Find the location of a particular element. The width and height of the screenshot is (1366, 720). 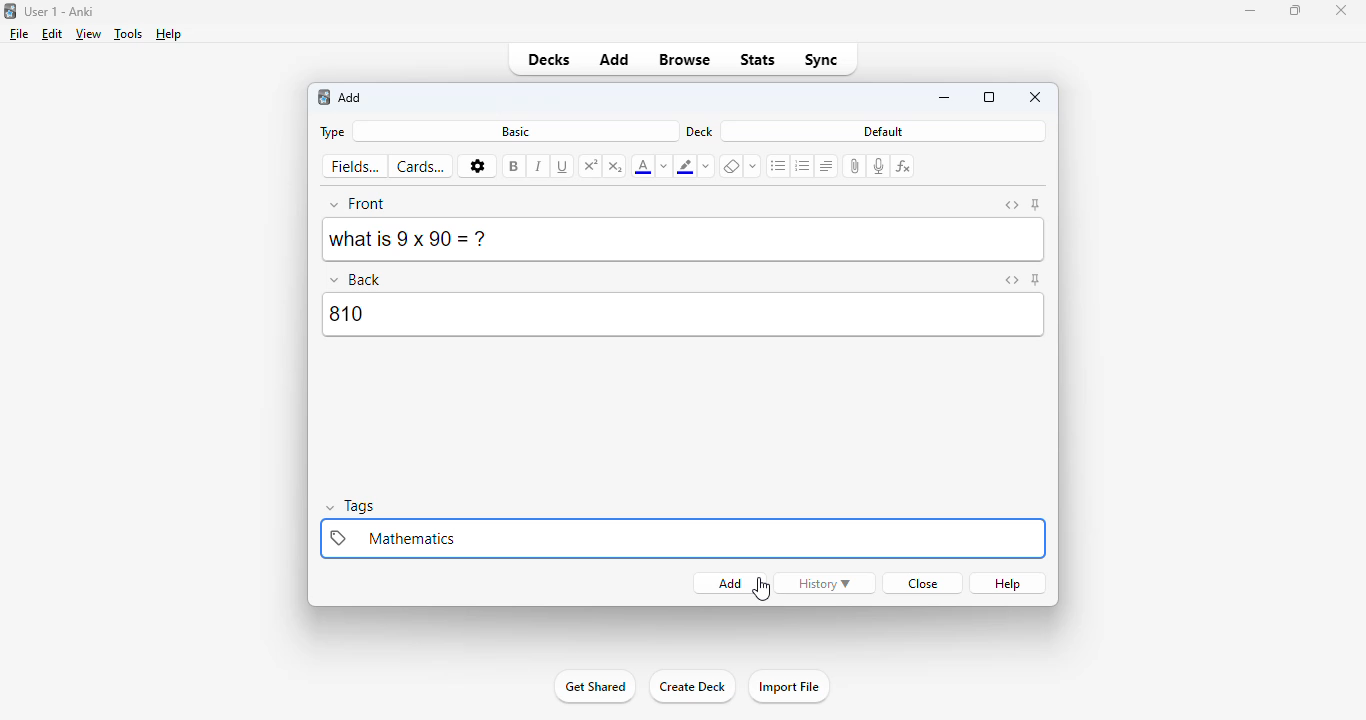

browse is located at coordinates (686, 59).